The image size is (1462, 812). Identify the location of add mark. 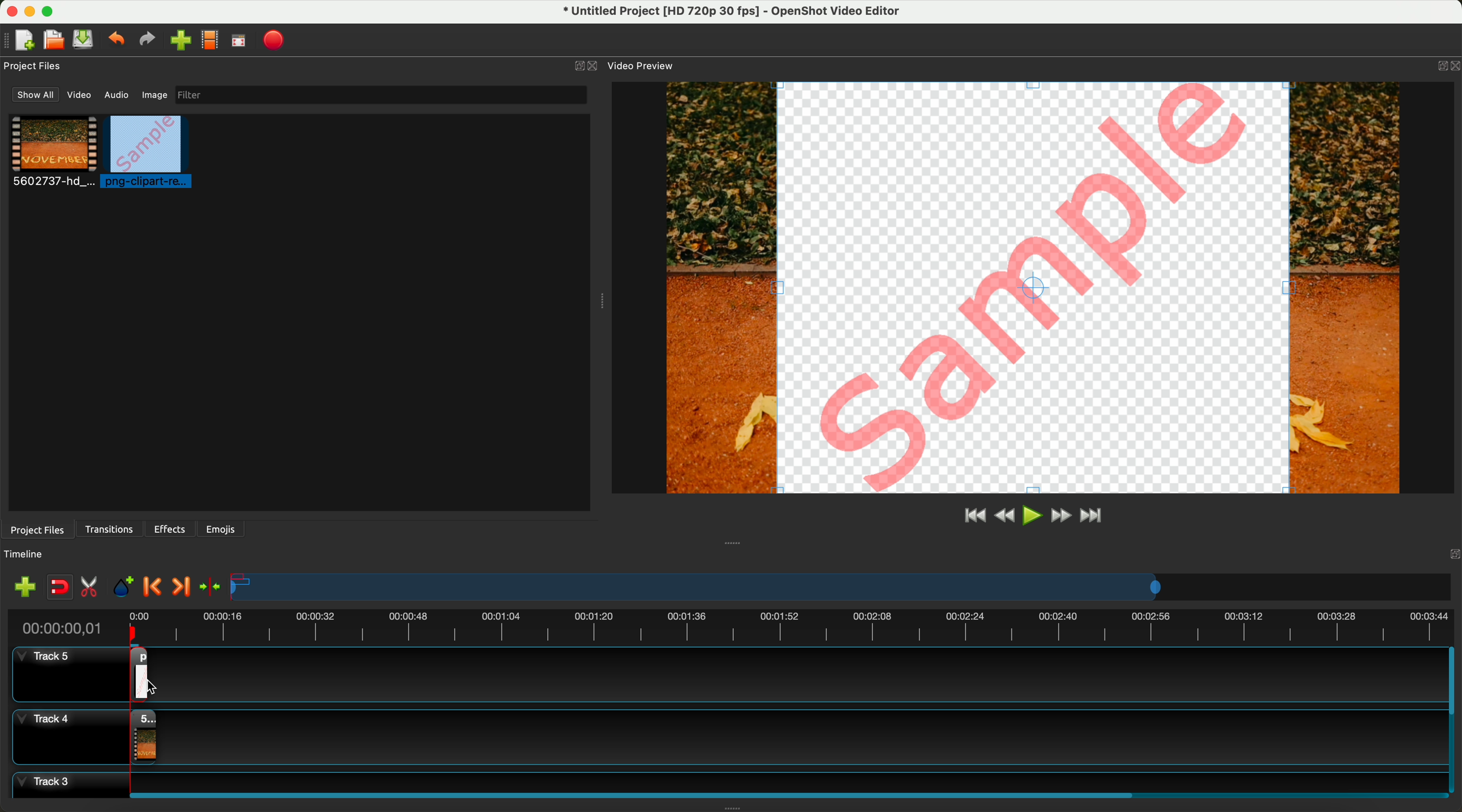
(126, 589).